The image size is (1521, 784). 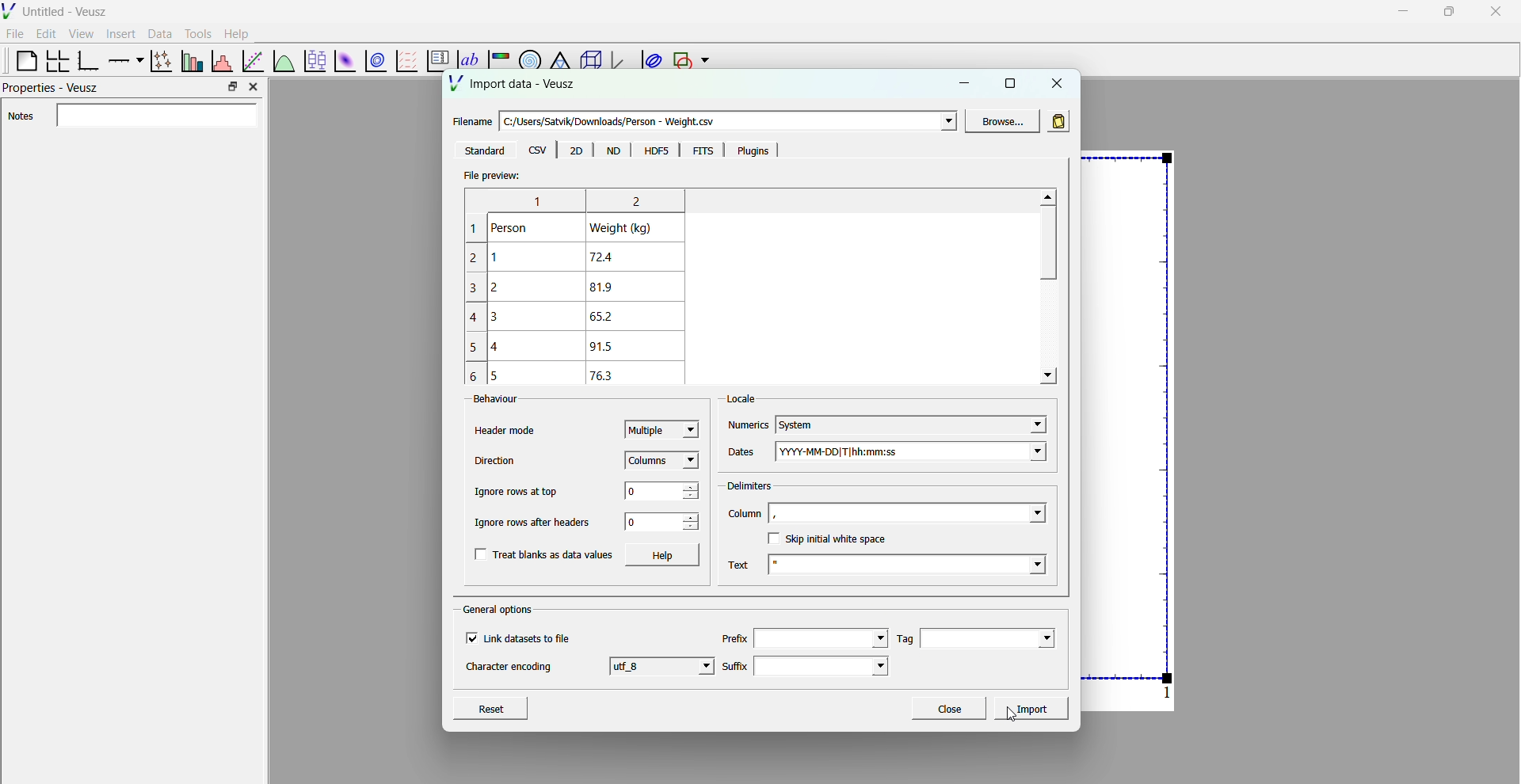 I want to click on close, so click(x=1496, y=12).